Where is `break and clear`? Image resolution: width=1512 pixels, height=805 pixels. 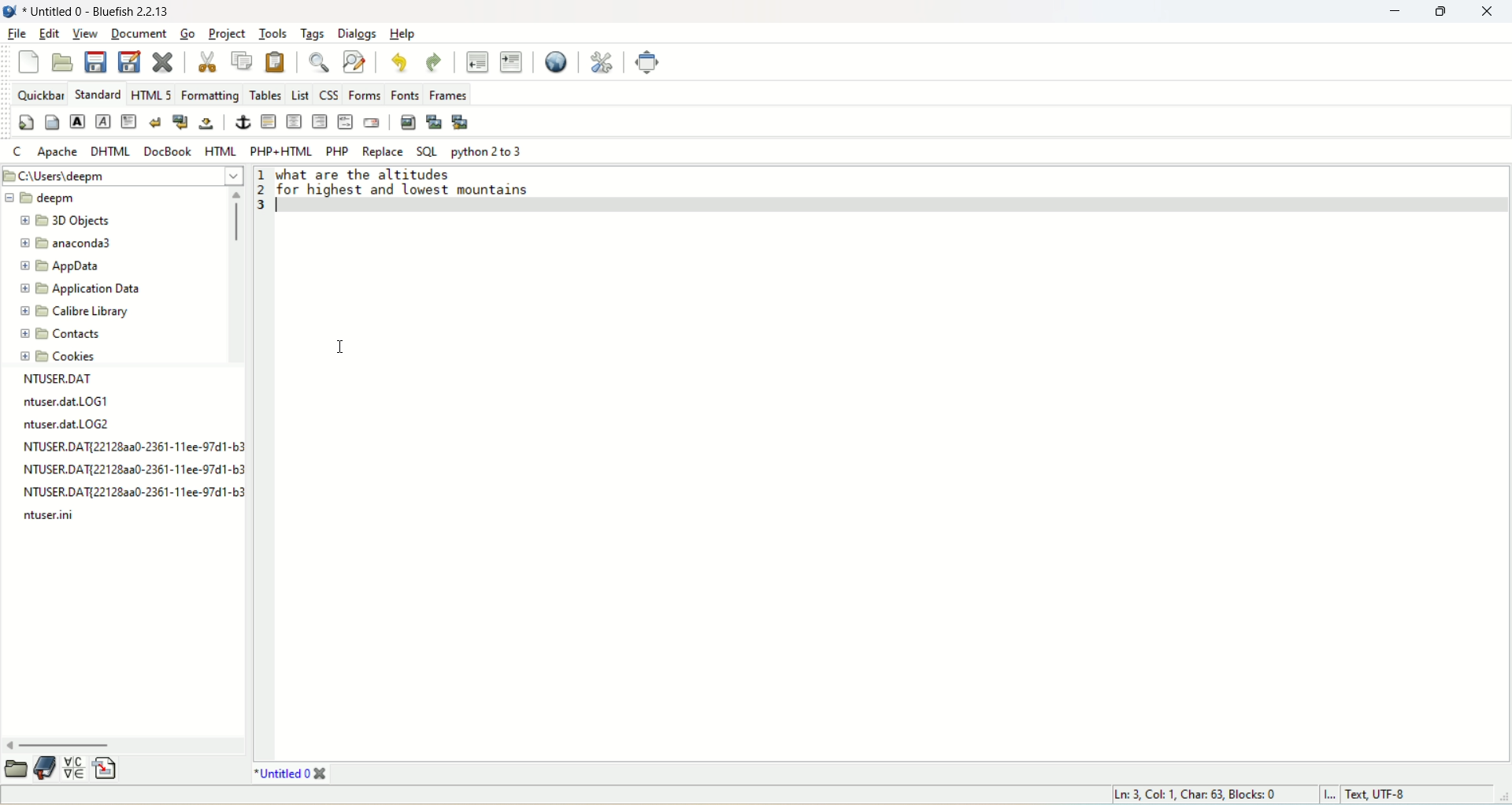
break and clear is located at coordinates (181, 122).